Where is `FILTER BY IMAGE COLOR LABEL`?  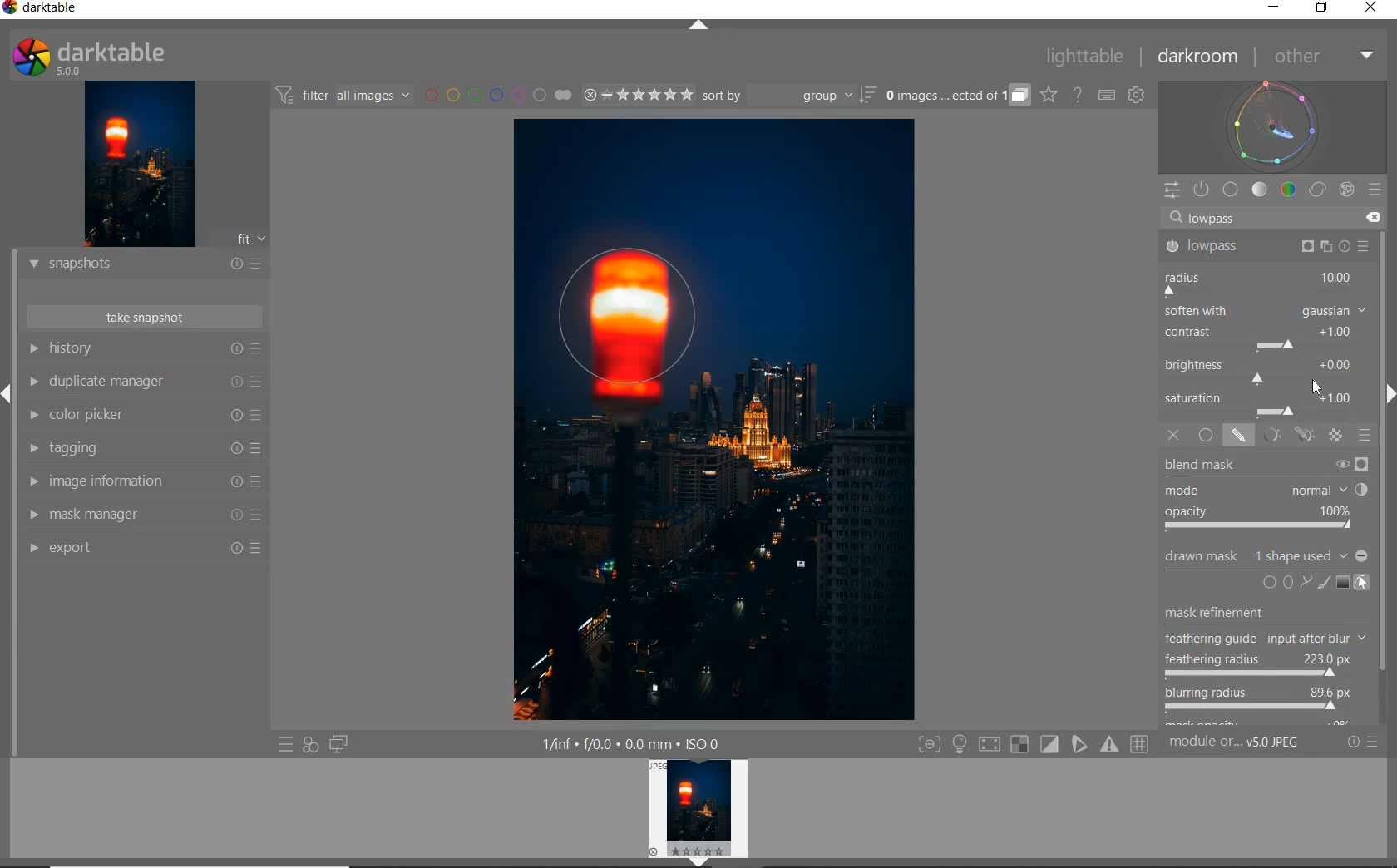
FILTER BY IMAGE COLOR LABEL is located at coordinates (498, 96).